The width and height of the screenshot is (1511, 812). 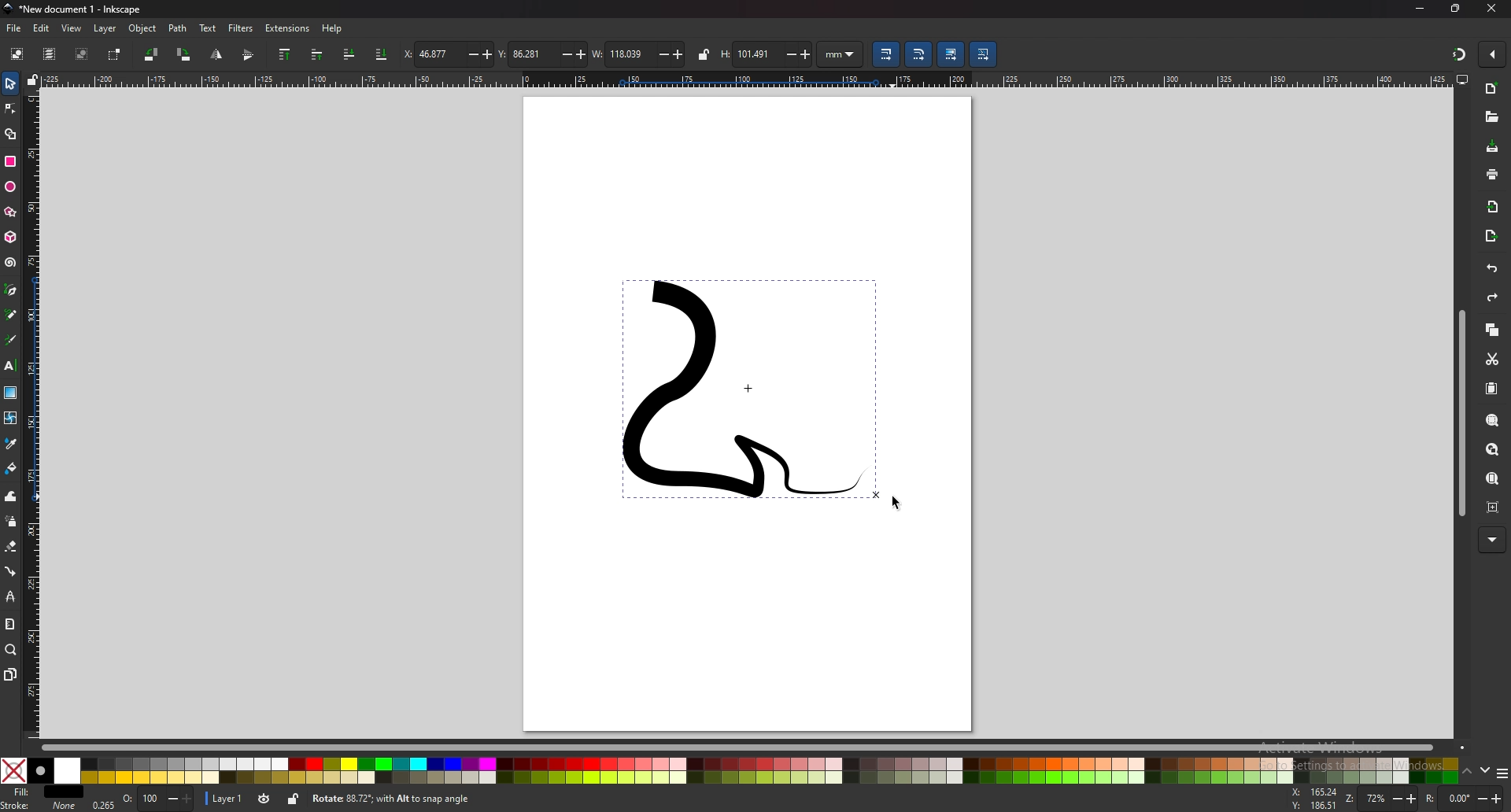 What do you see at coordinates (885, 54) in the screenshot?
I see `scale stroke` at bounding box center [885, 54].